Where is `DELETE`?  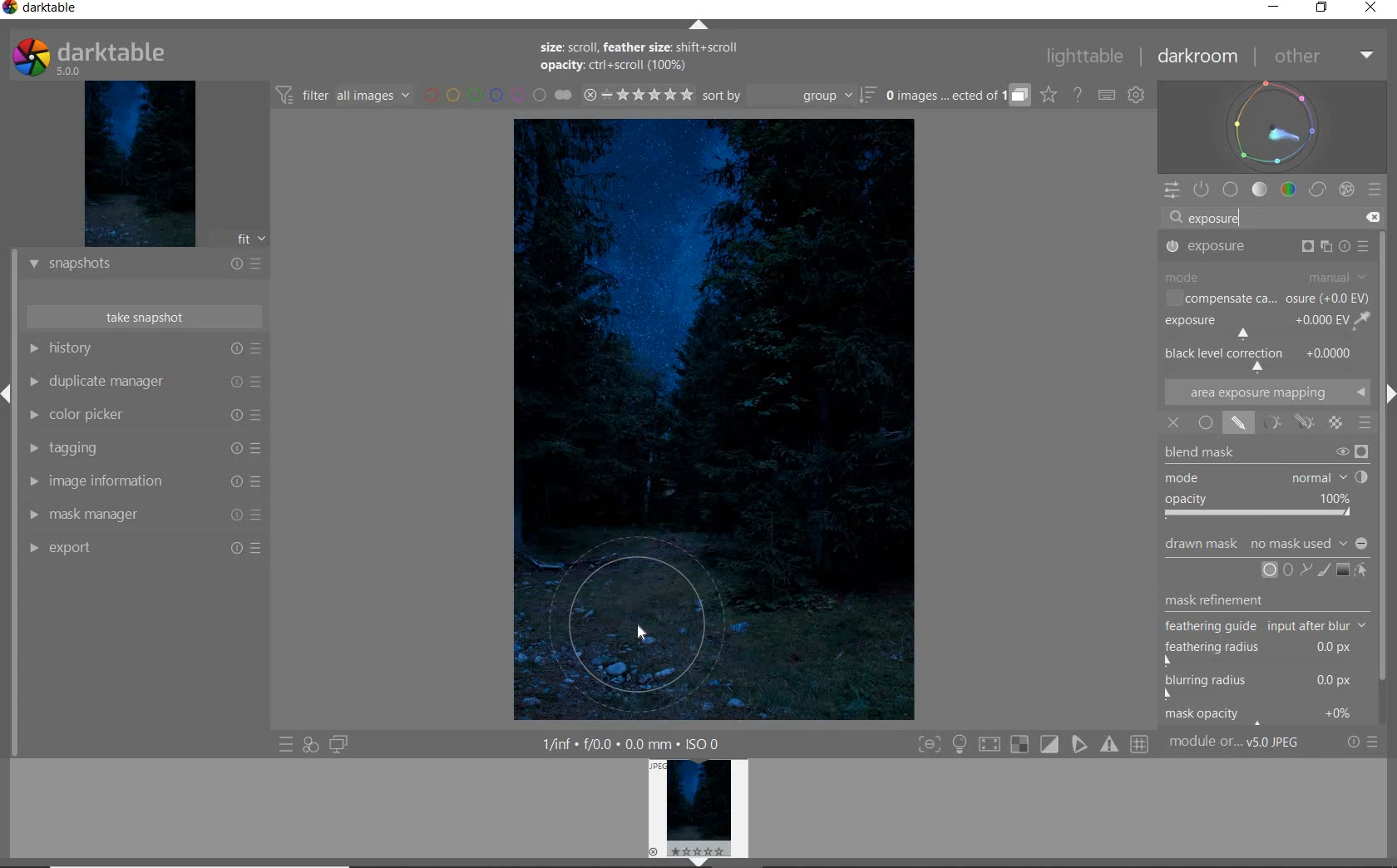
DELETE is located at coordinates (1373, 218).